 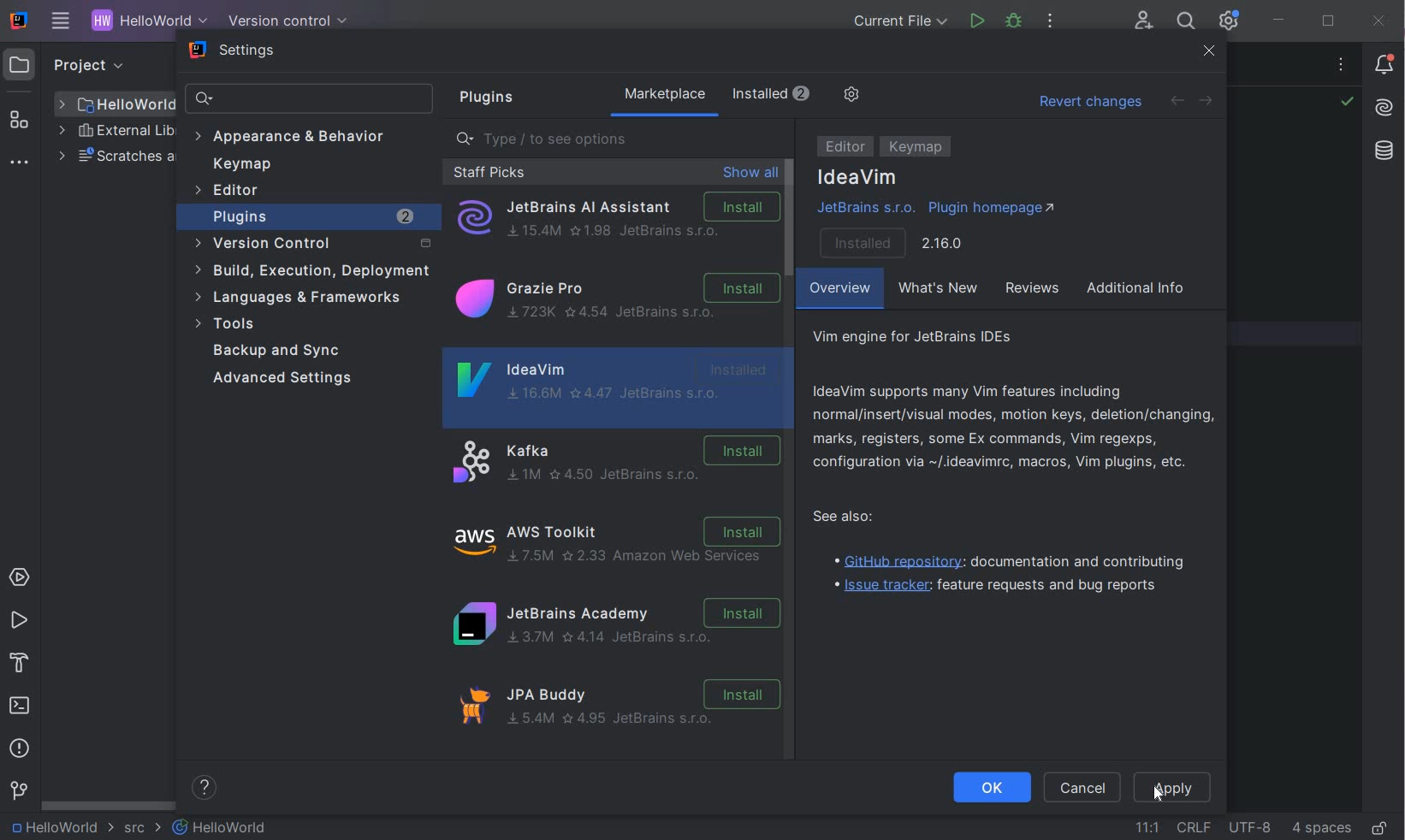 What do you see at coordinates (854, 518) in the screenshot?
I see `see also` at bounding box center [854, 518].